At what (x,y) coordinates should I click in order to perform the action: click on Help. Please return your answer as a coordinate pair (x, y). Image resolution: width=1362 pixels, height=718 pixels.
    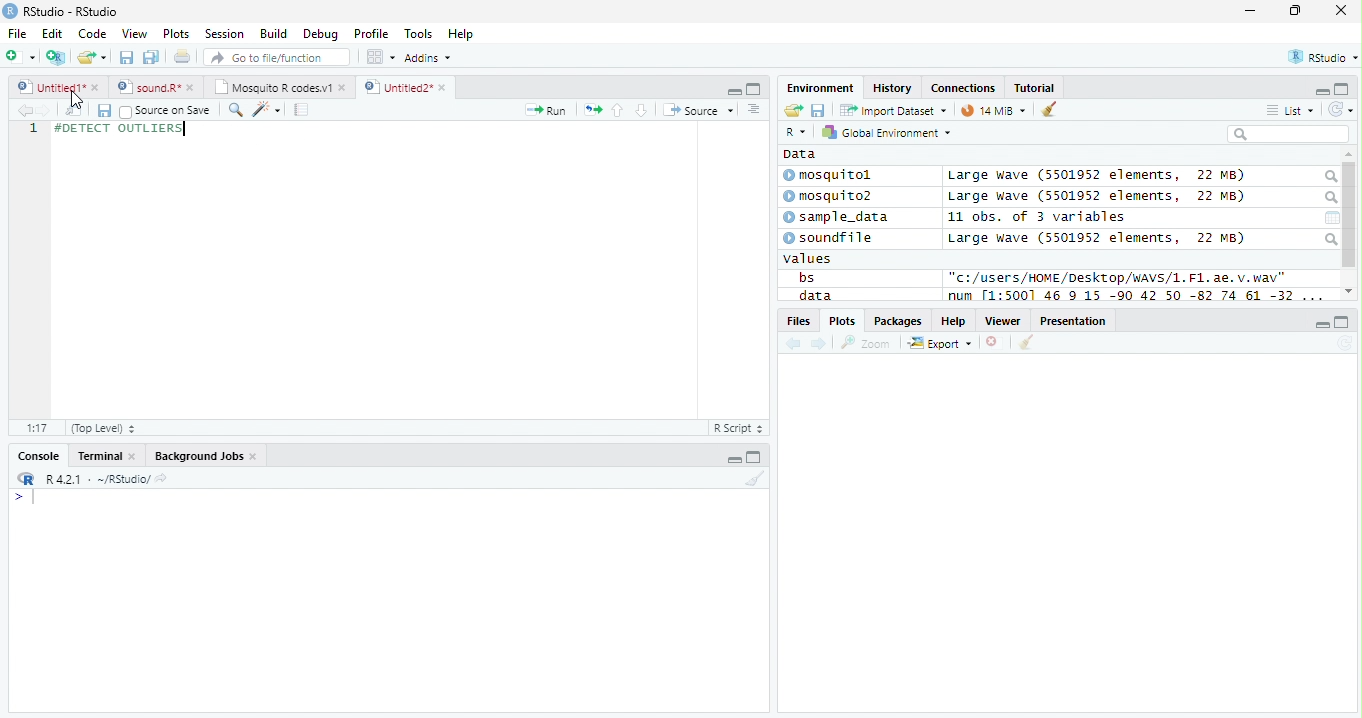
    Looking at the image, I should click on (463, 34).